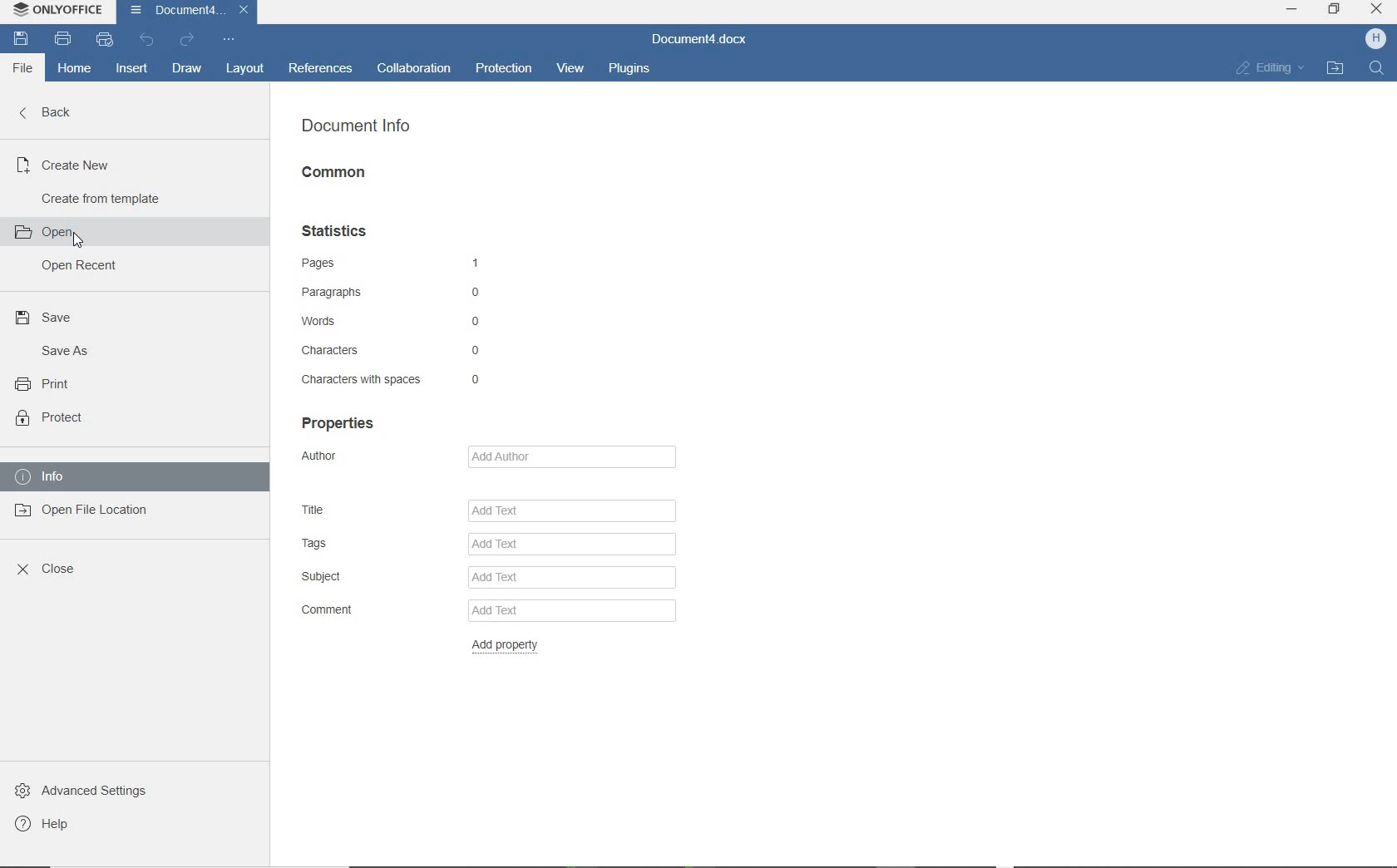 This screenshot has height=868, width=1397. What do you see at coordinates (186, 70) in the screenshot?
I see `draw` at bounding box center [186, 70].